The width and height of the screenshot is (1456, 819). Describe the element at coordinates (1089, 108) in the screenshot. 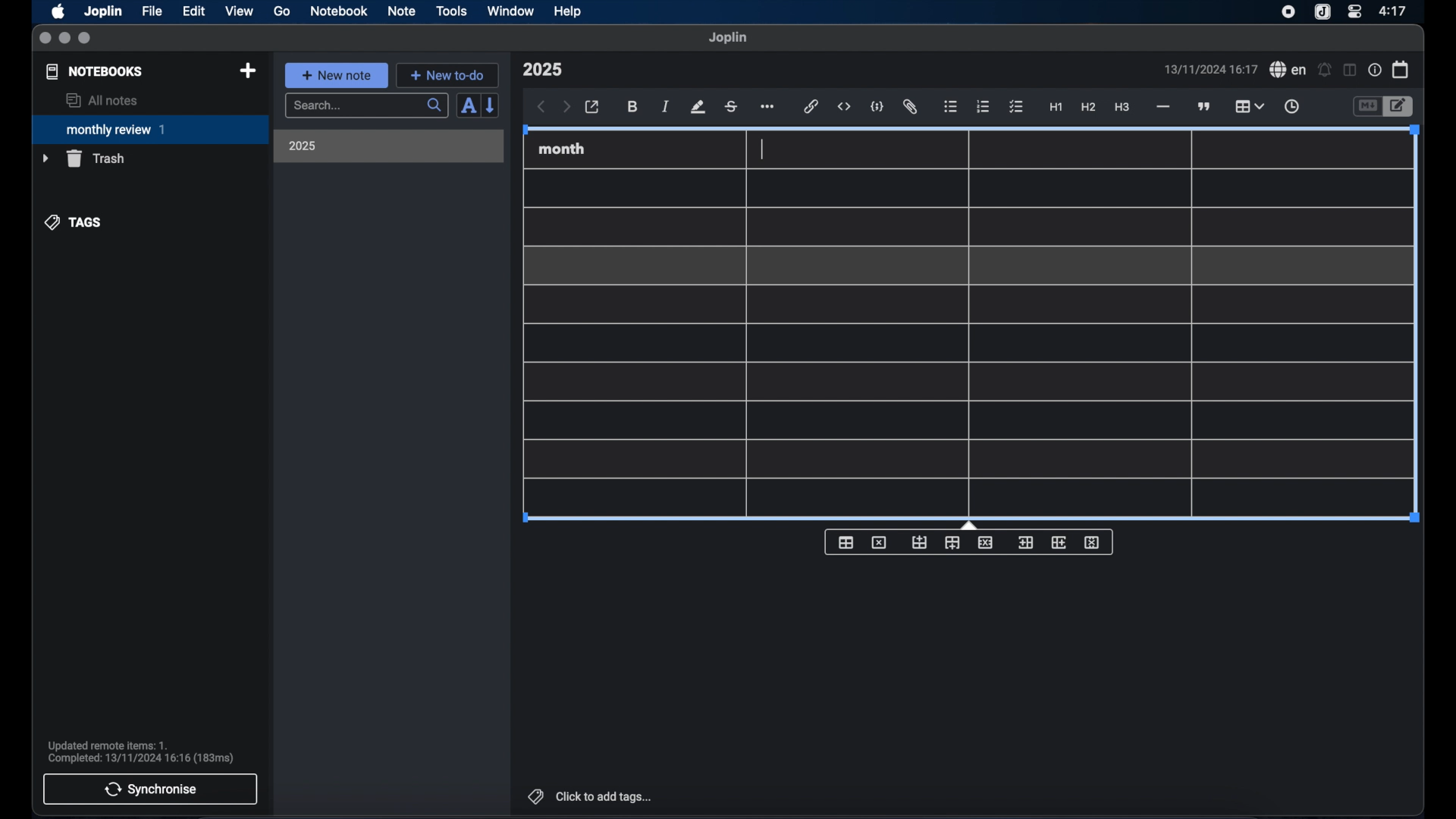

I see `heading 2` at that location.